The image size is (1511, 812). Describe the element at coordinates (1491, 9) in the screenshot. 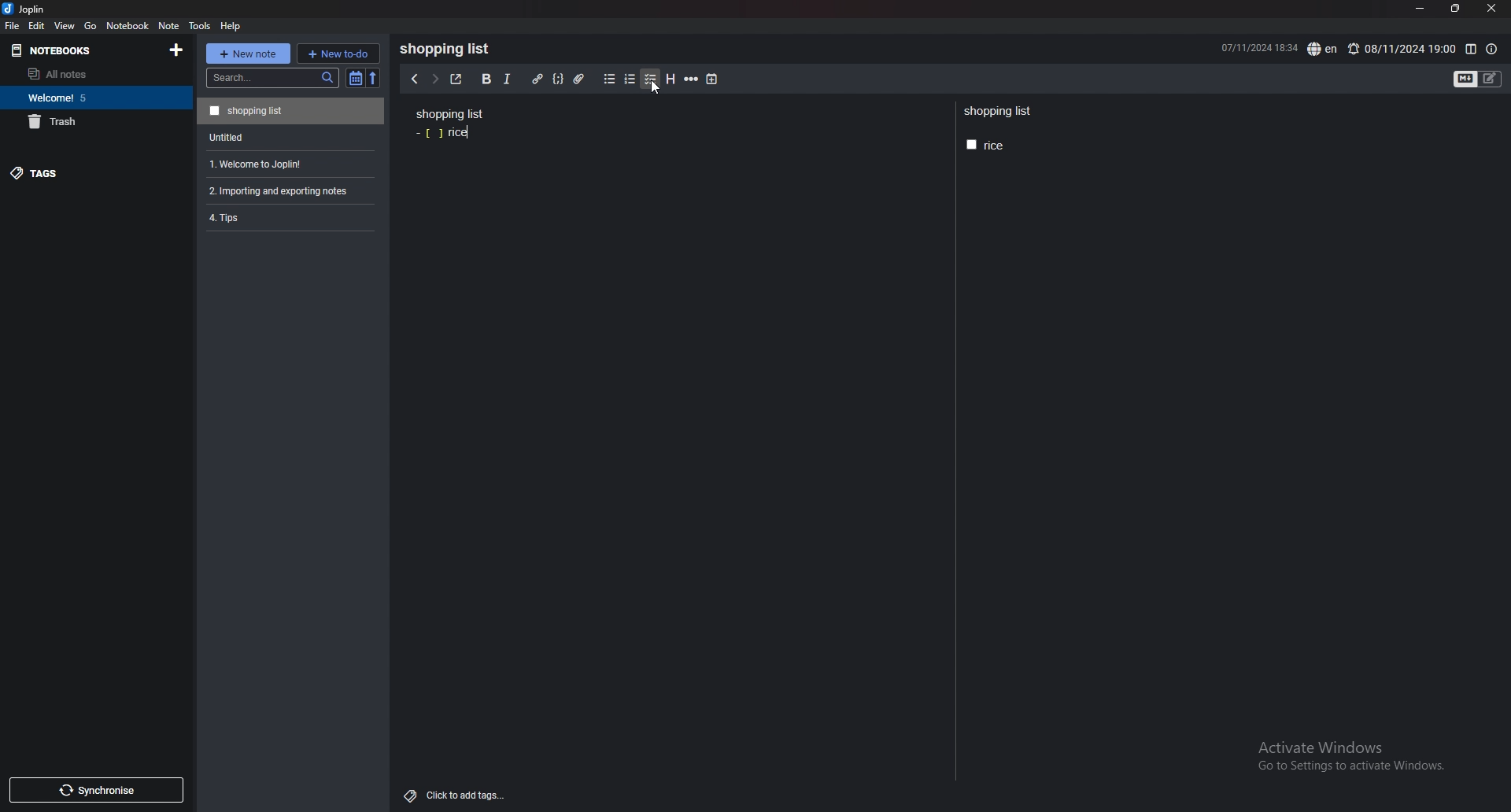

I see `close` at that location.